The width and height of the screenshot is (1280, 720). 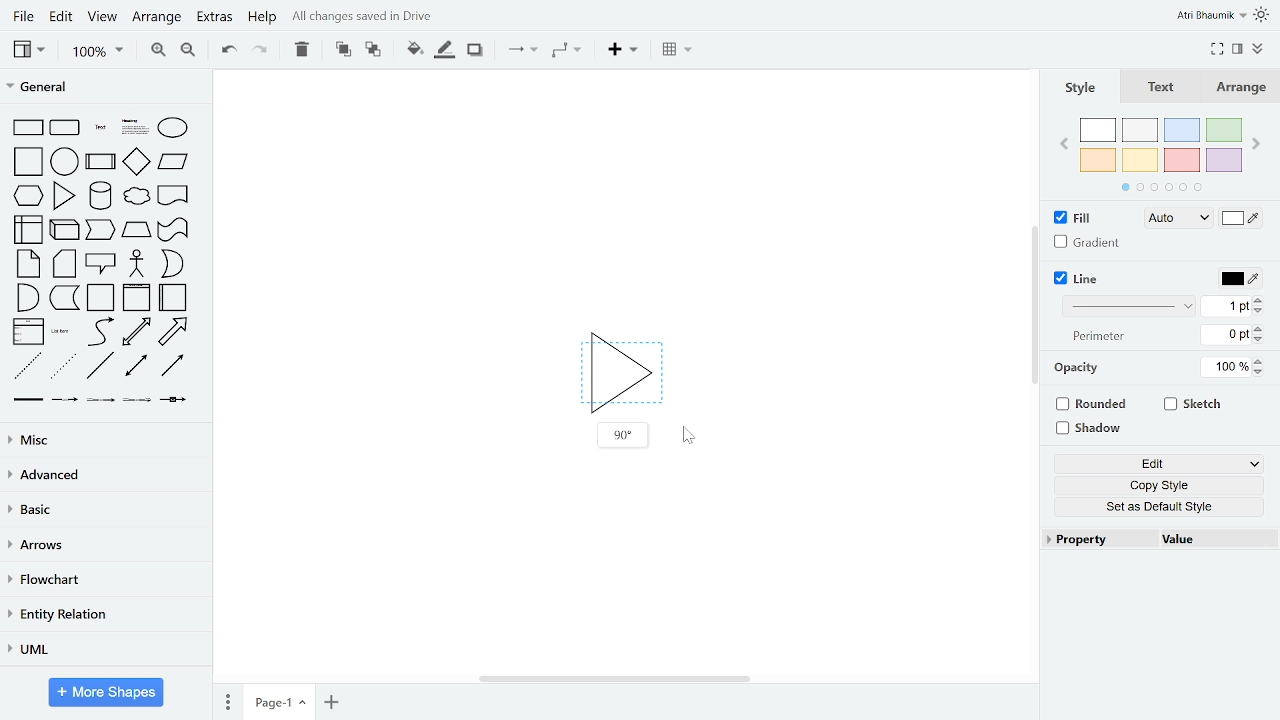 I want to click on previous , so click(x=1061, y=147).